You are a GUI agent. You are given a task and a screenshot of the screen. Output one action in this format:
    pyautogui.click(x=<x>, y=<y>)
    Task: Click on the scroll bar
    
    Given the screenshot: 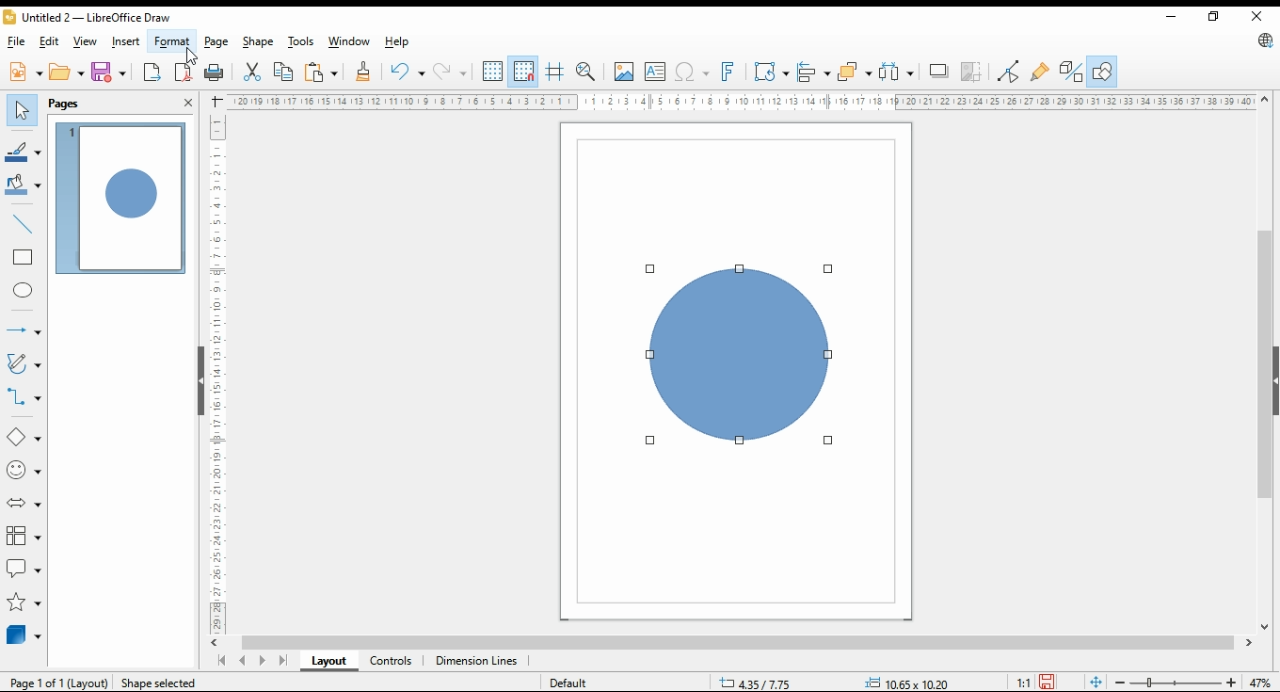 What is the action you would take?
    pyautogui.click(x=727, y=643)
    